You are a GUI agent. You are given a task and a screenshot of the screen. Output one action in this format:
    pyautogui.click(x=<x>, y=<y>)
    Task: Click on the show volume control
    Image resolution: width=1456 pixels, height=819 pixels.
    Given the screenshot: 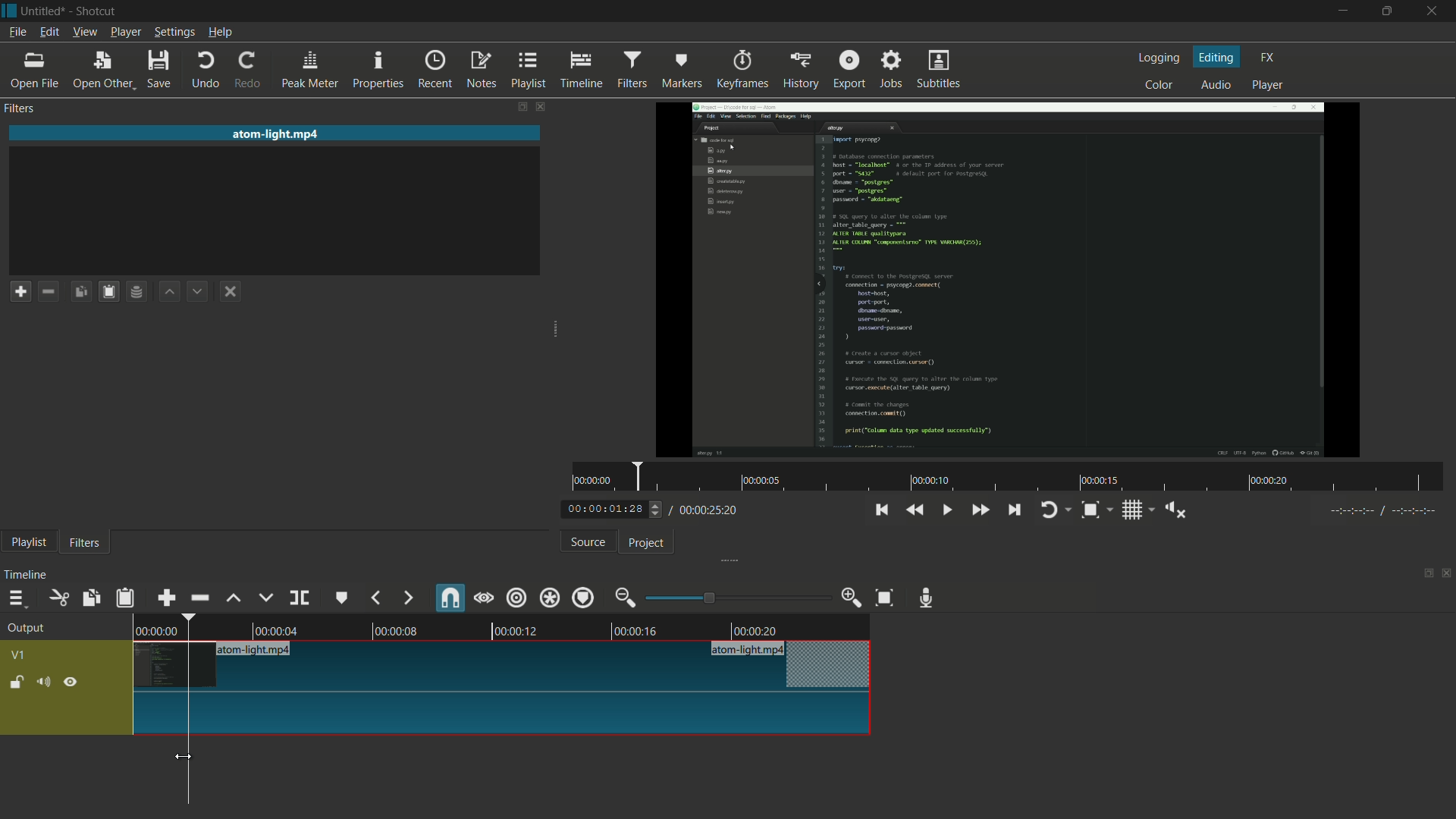 What is the action you would take?
    pyautogui.click(x=1175, y=509)
    